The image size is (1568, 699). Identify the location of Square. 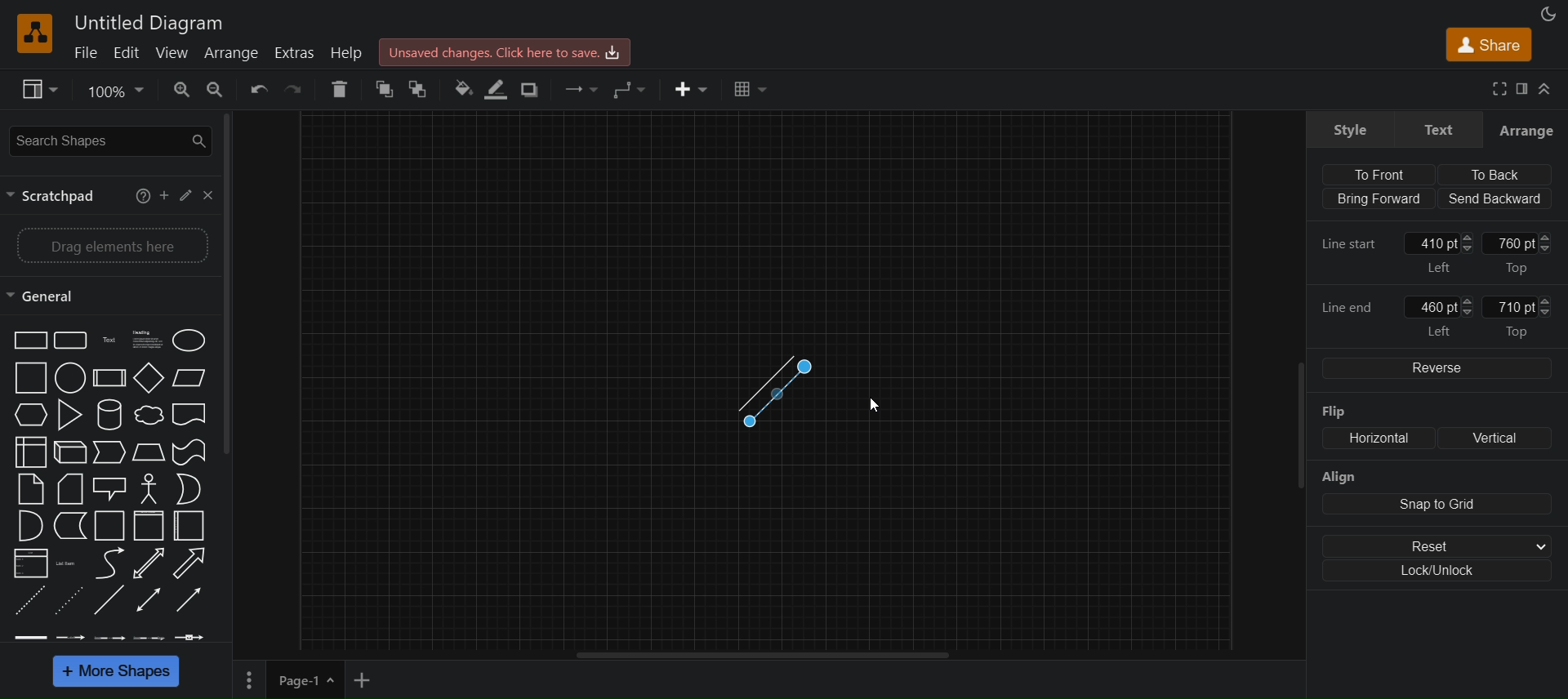
(29, 377).